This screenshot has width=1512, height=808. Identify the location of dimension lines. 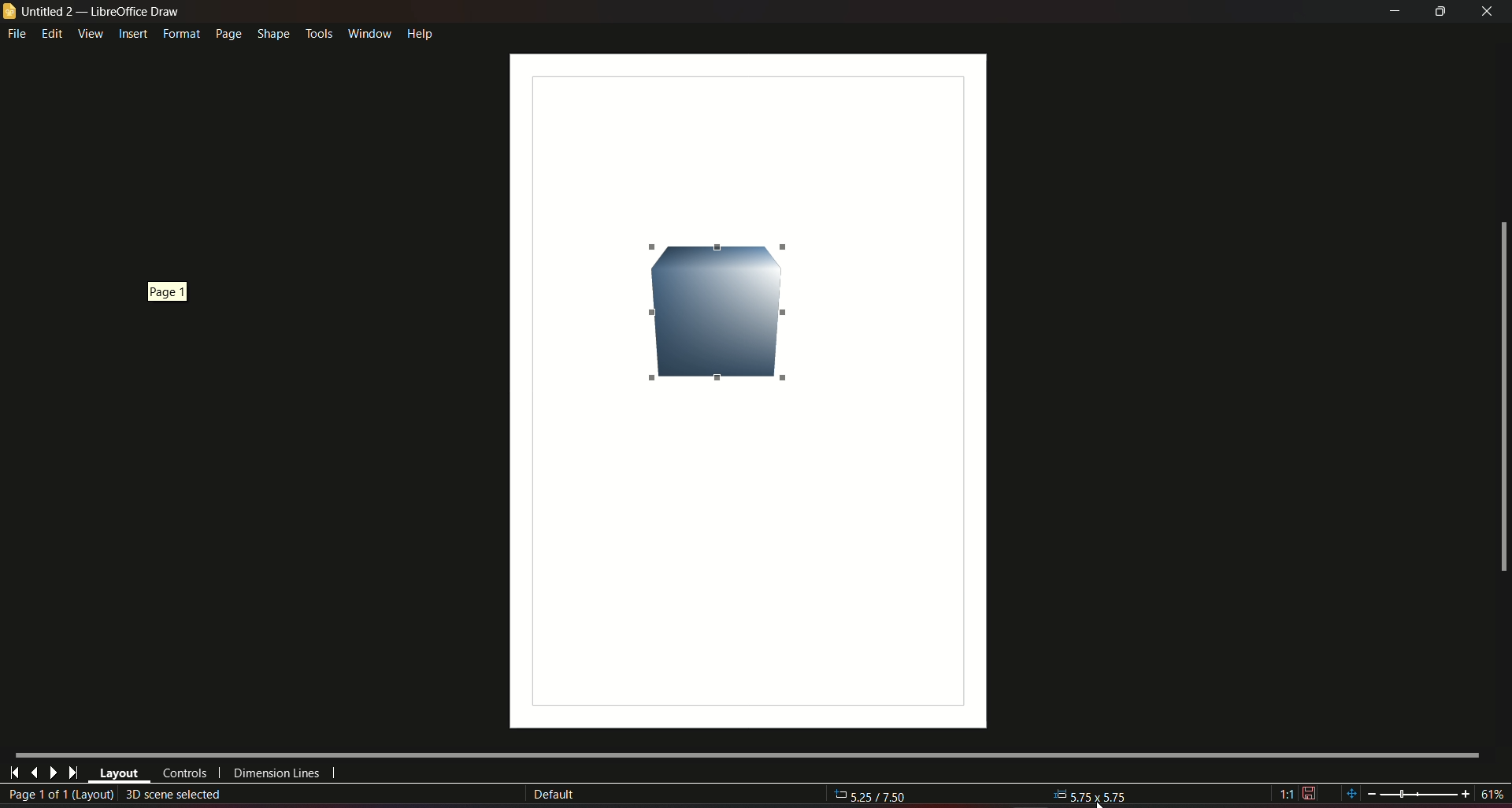
(277, 776).